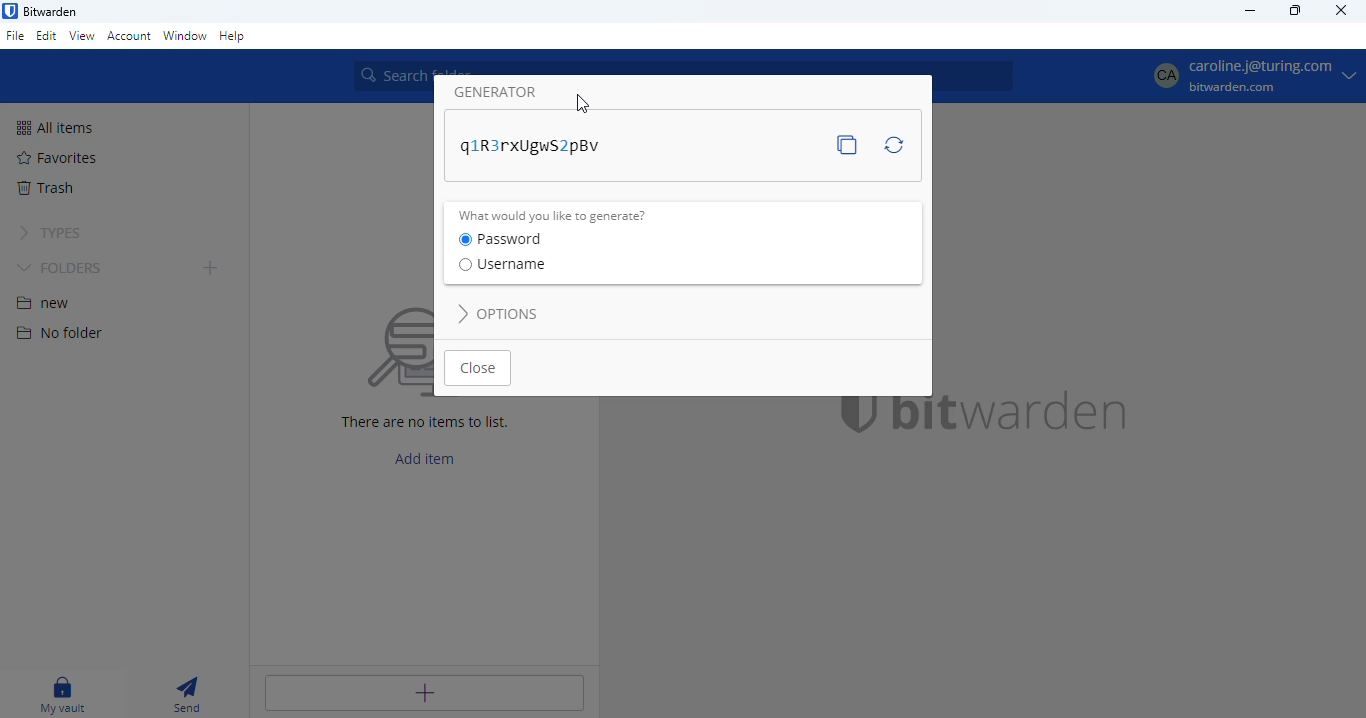  I want to click on edit, so click(46, 35).